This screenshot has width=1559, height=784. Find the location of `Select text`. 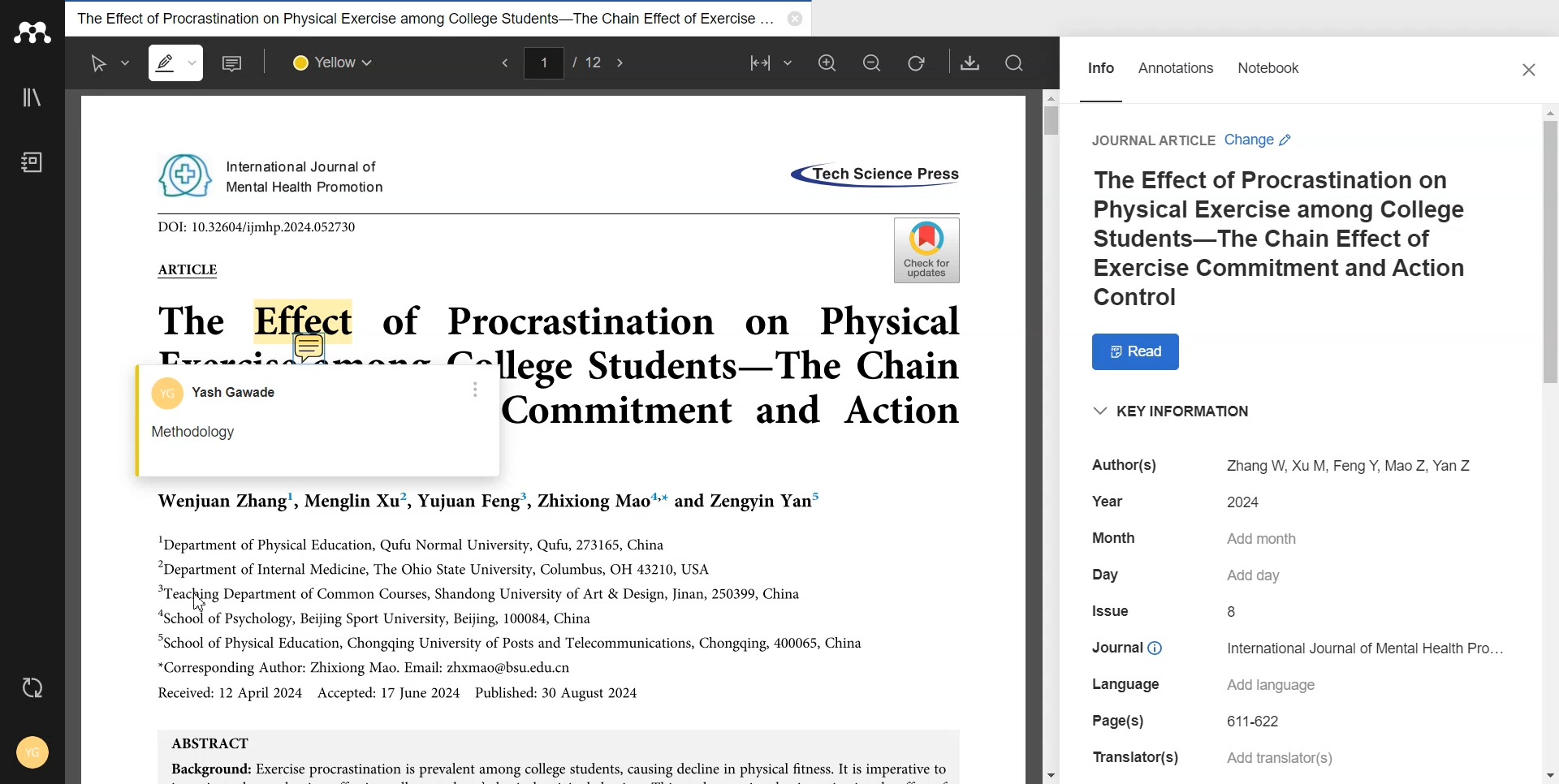

Select text is located at coordinates (110, 63).